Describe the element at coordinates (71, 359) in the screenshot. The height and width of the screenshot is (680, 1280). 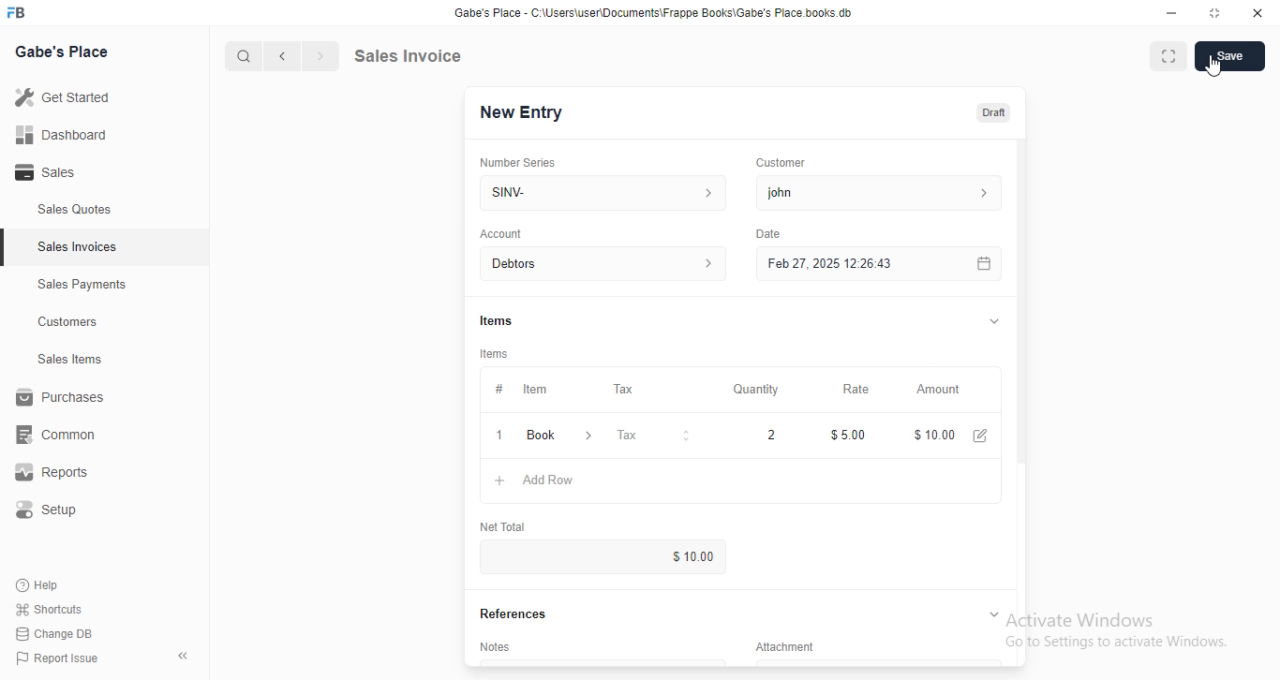
I see `Sales tems` at that location.